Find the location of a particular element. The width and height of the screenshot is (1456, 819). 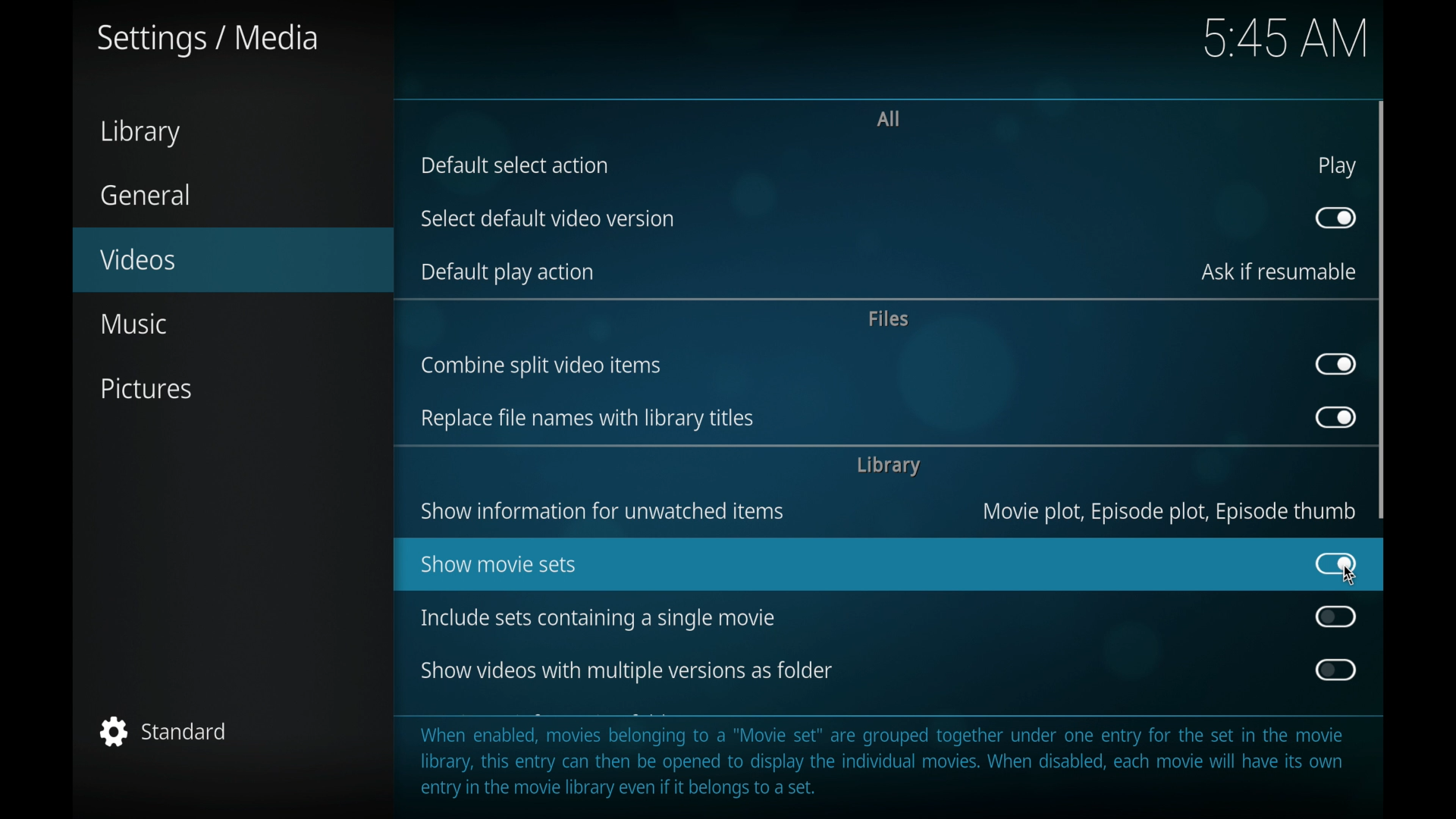

general is located at coordinates (146, 195).